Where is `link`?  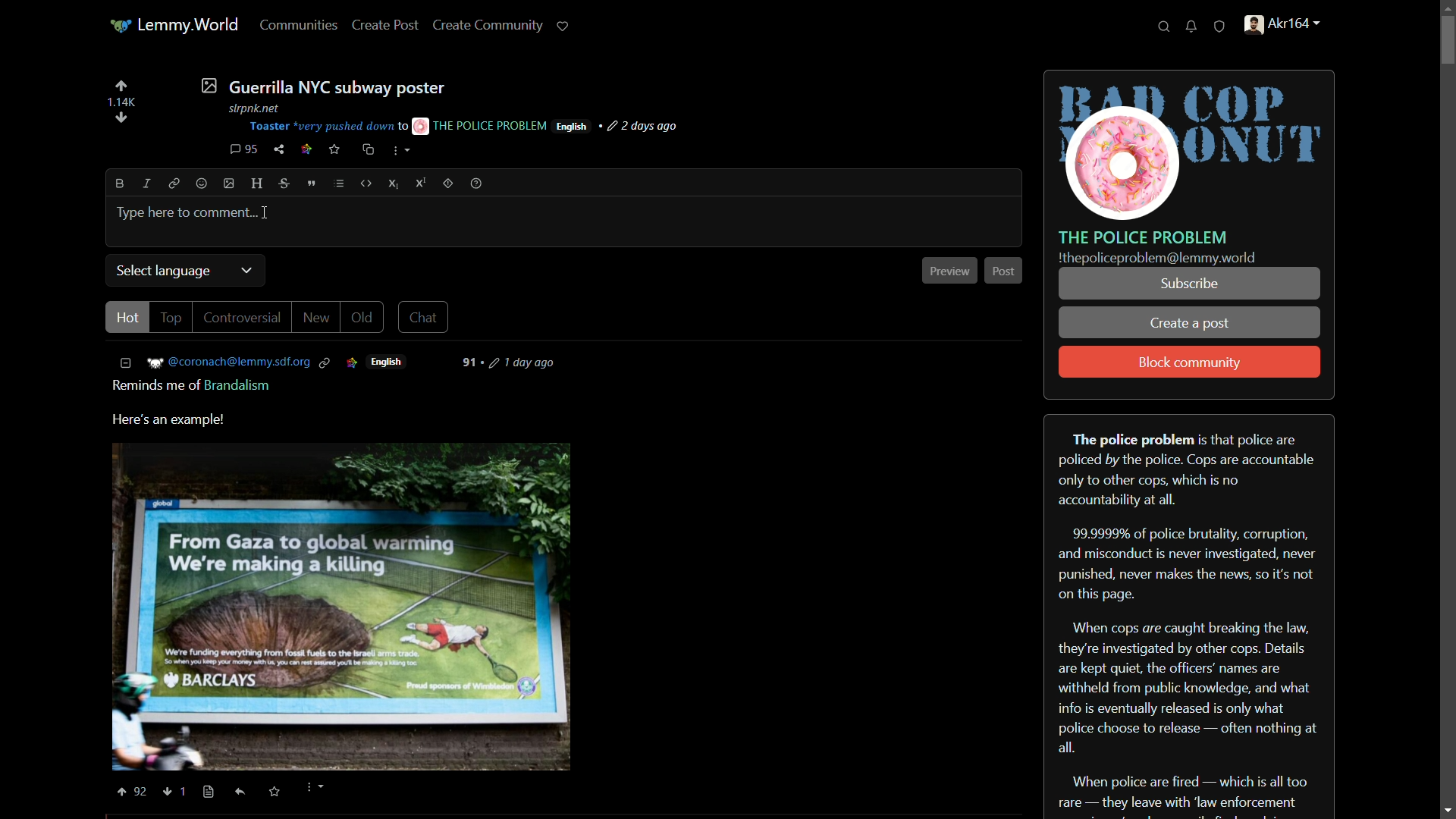 link is located at coordinates (306, 151).